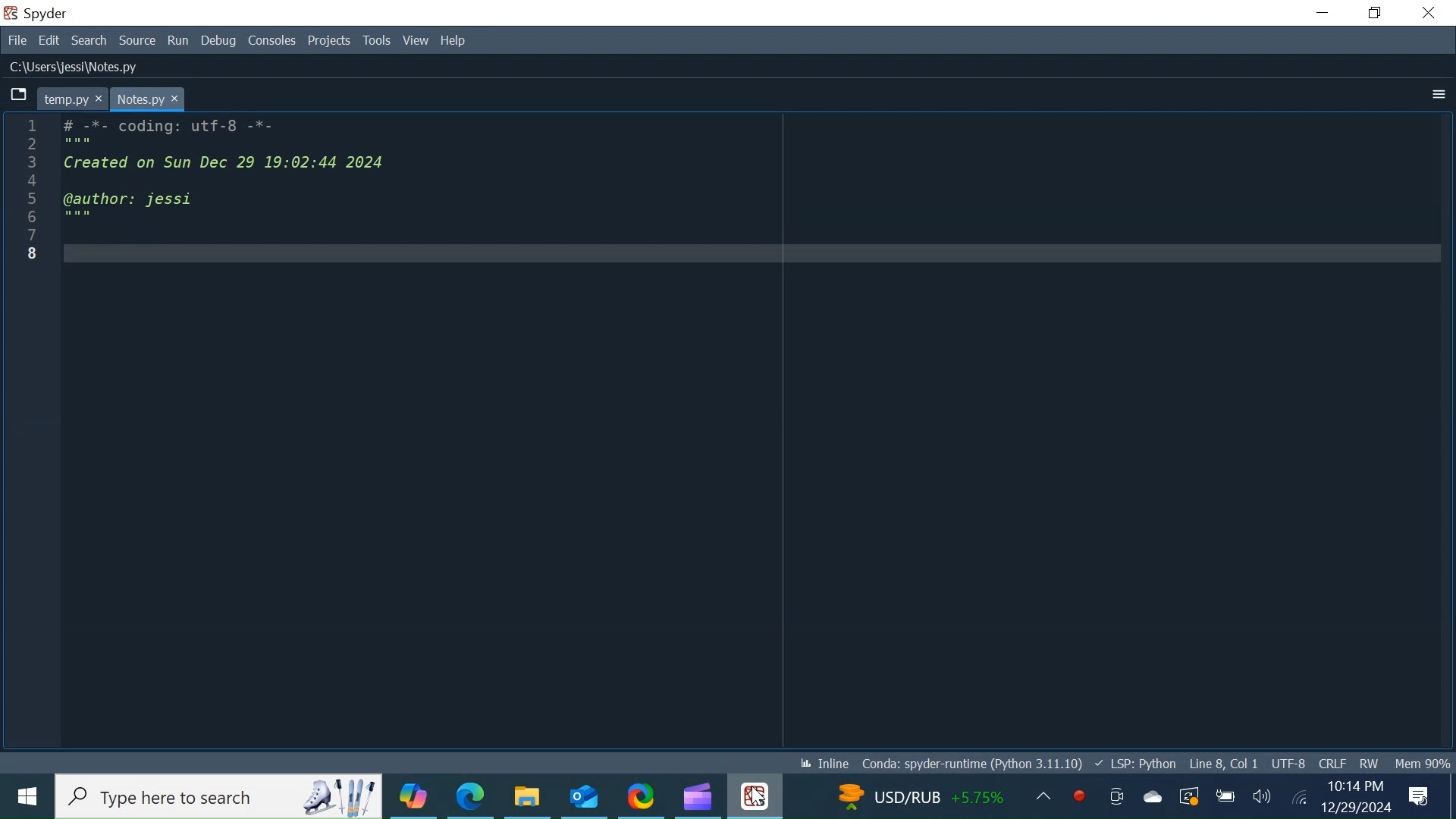 This screenshot has height=819, width=1456. I want to click on Microsoft ClipChamp, so click(698, 795).